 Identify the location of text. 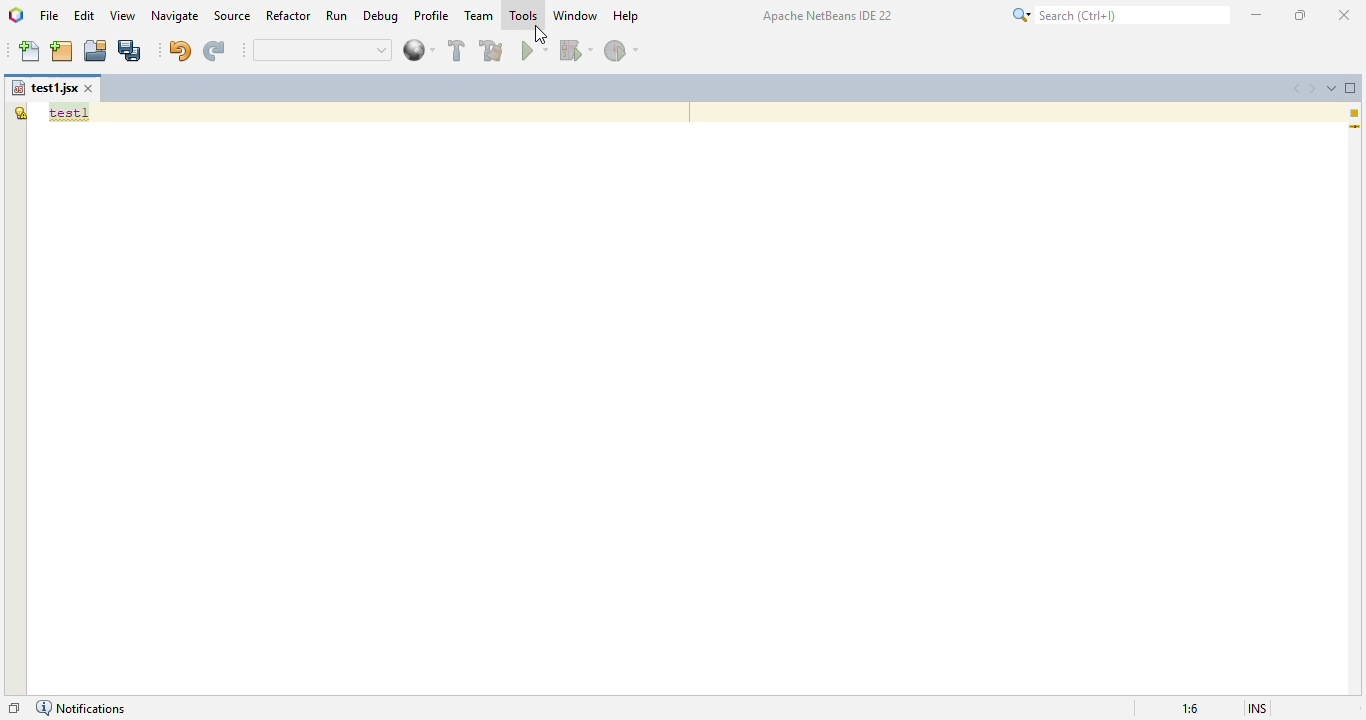
(69, 113).